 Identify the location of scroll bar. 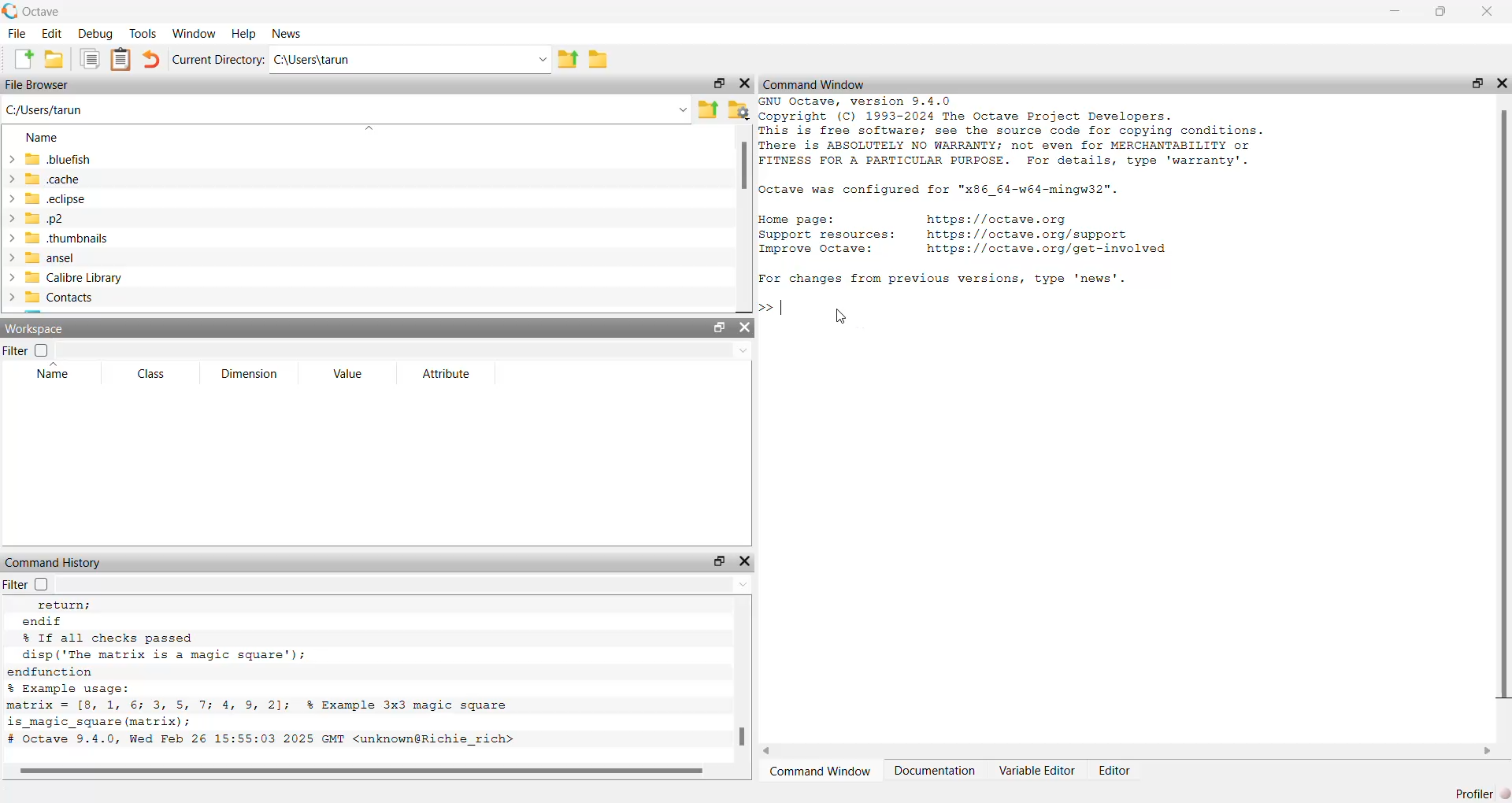
(1507, 405).